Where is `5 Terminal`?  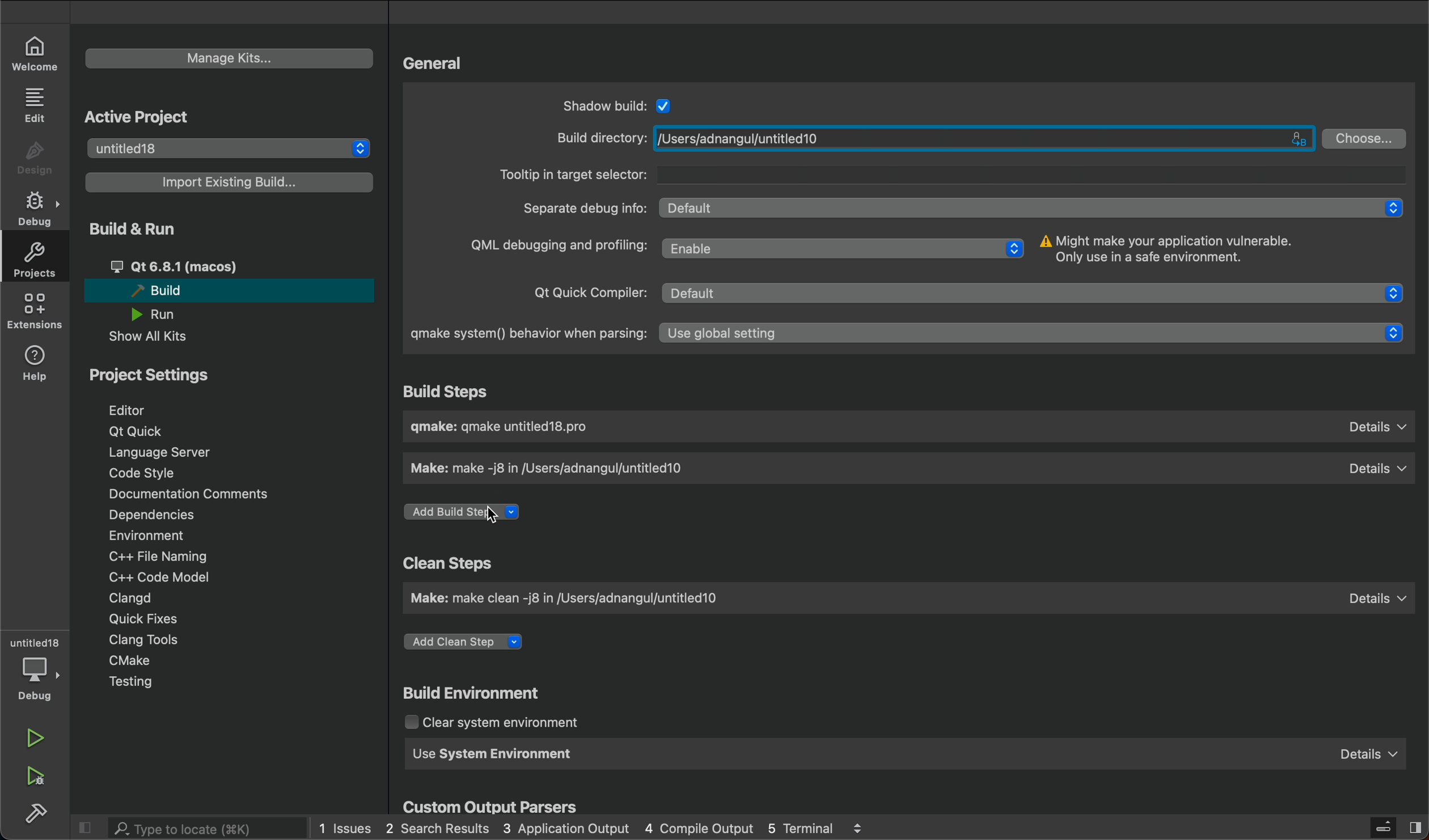 5 Terminal is located at coordinates (802, 829).